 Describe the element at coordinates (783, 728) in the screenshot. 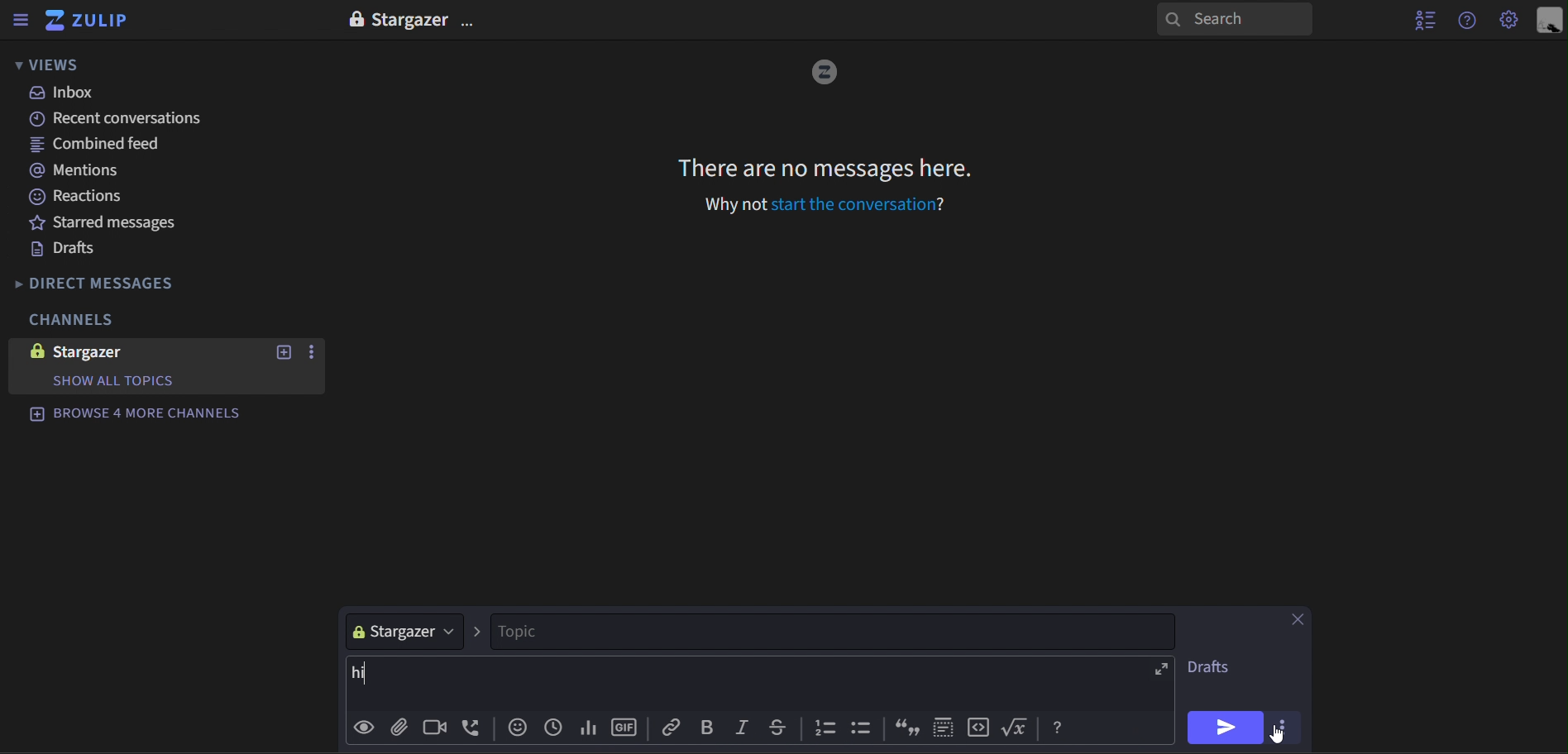

I see `strike through` at that location.